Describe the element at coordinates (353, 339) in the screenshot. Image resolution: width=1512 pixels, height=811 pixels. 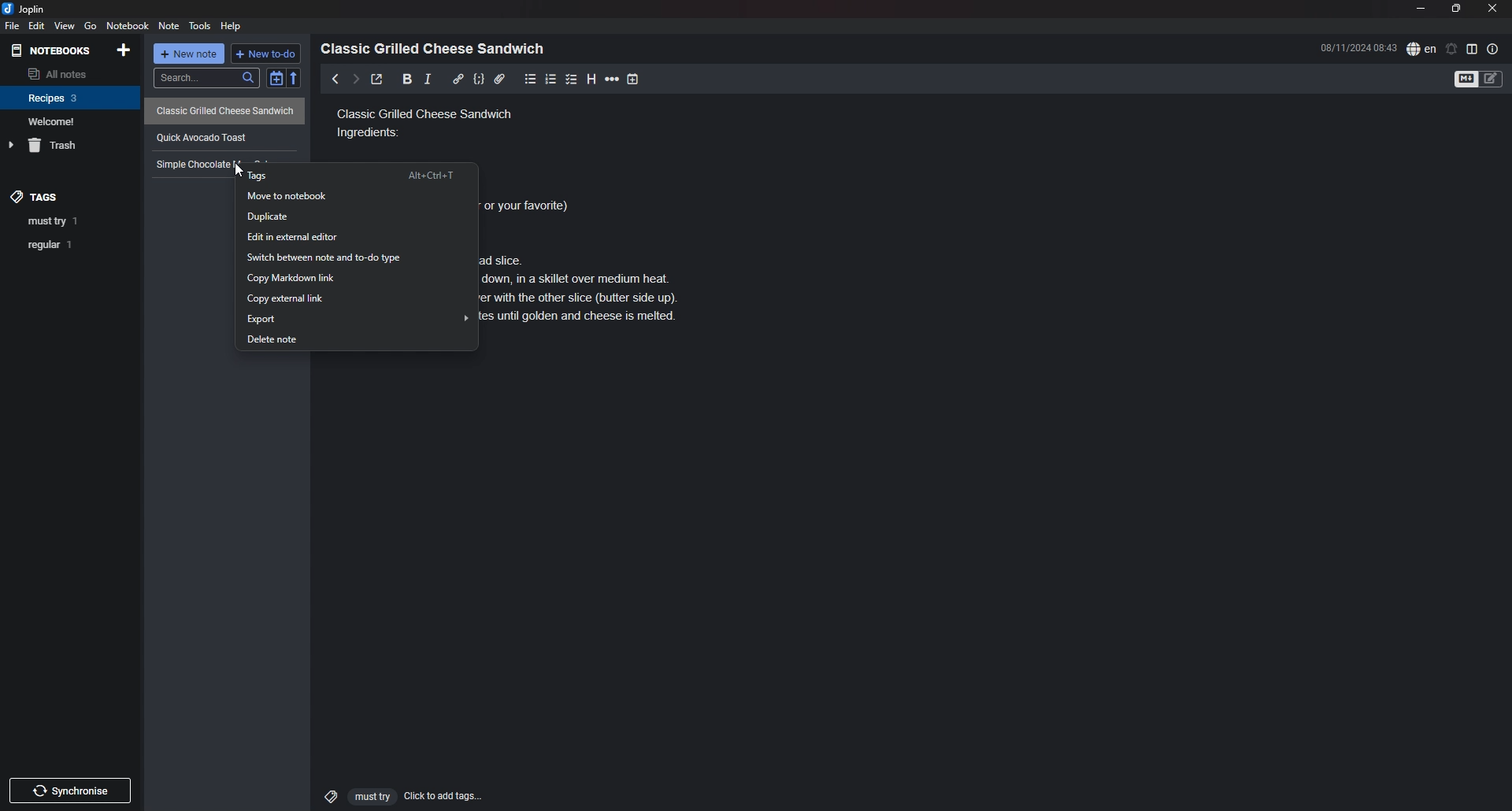
I see `Delete note` at that location.